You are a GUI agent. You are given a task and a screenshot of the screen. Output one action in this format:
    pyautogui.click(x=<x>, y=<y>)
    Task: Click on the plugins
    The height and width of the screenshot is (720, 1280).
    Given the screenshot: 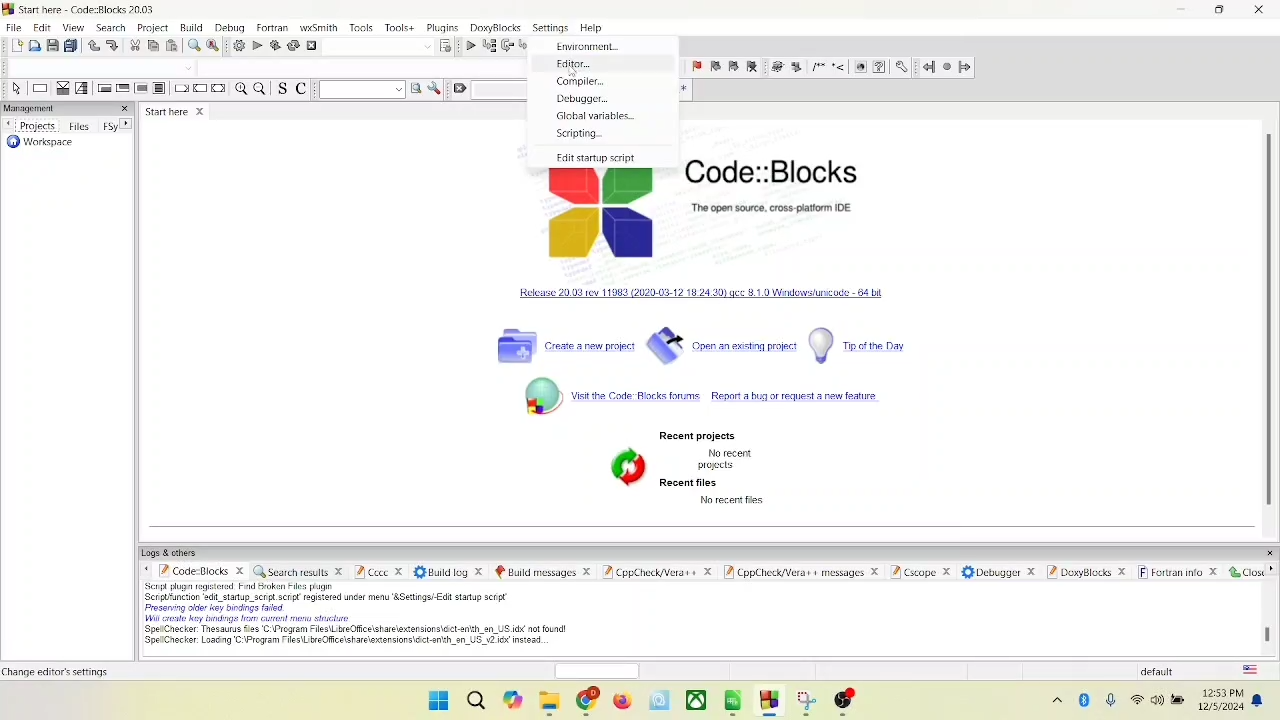 What is the action you would take?
    pyautogui.click(x=443, y=28)
    